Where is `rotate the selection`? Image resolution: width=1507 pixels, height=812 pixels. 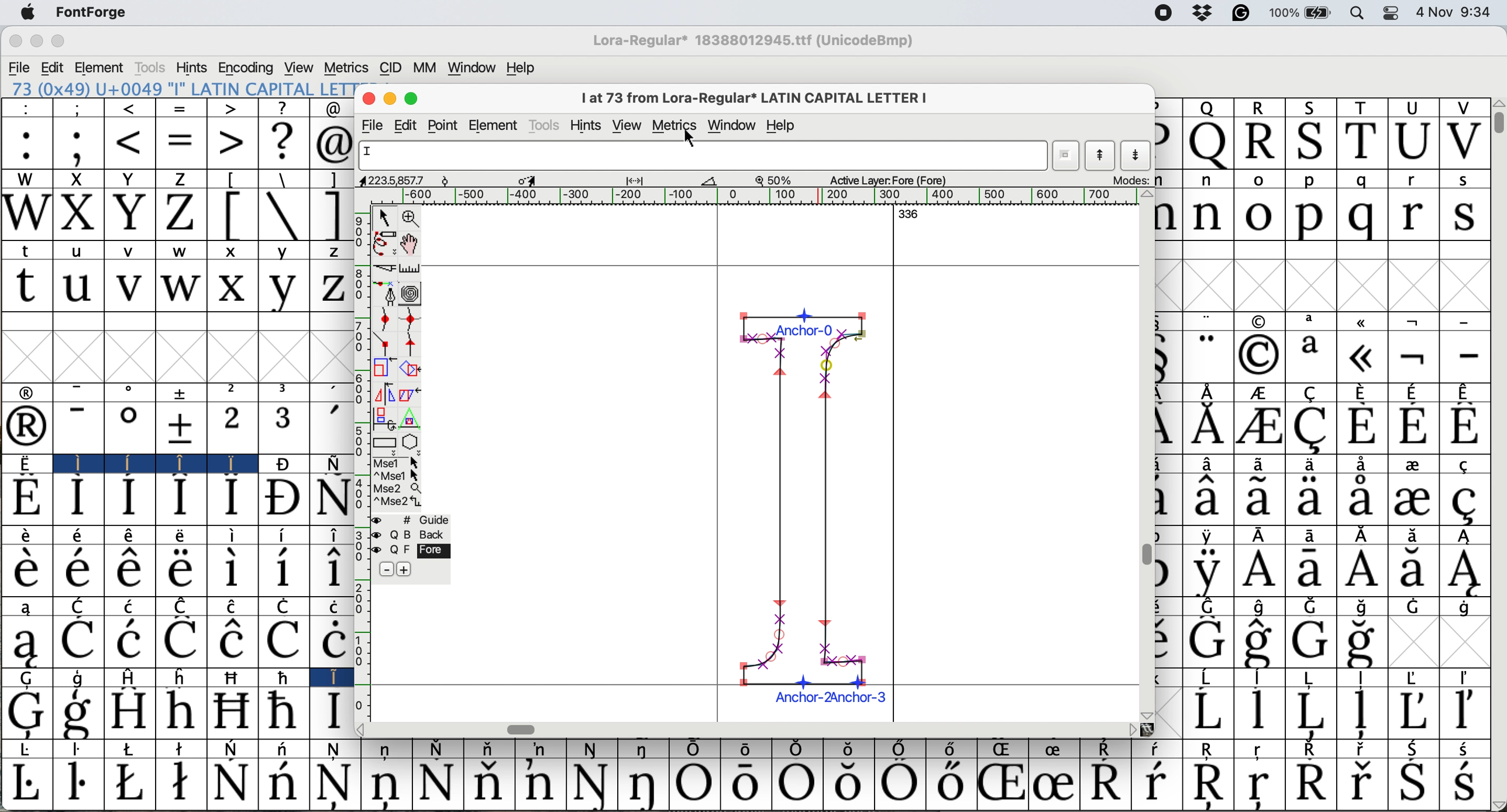 rotate the selection is located at coordinates (410, 369).